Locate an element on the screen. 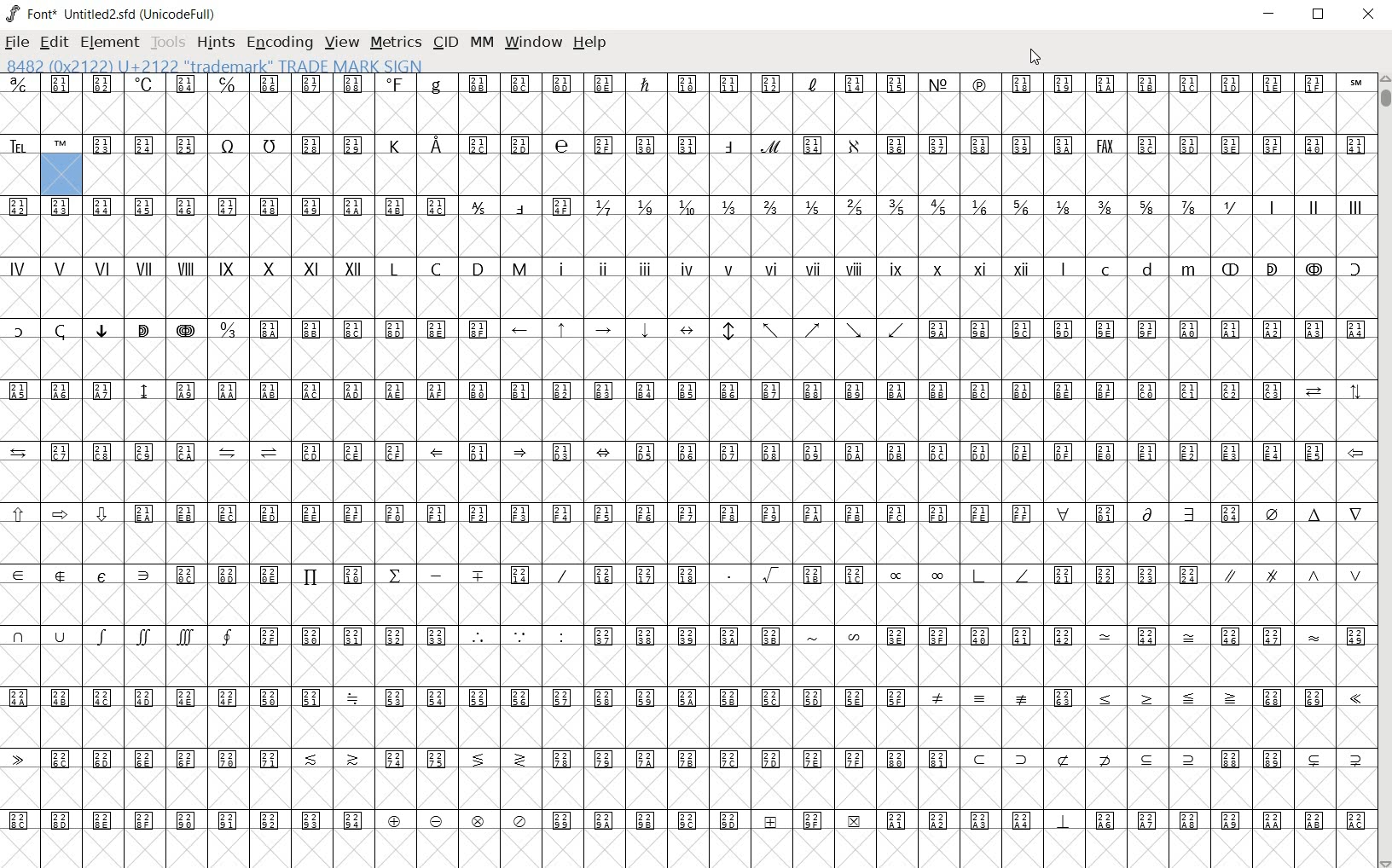 This screenshot has height=868, width=1392. special characters is located at coordinates (1208, 286).